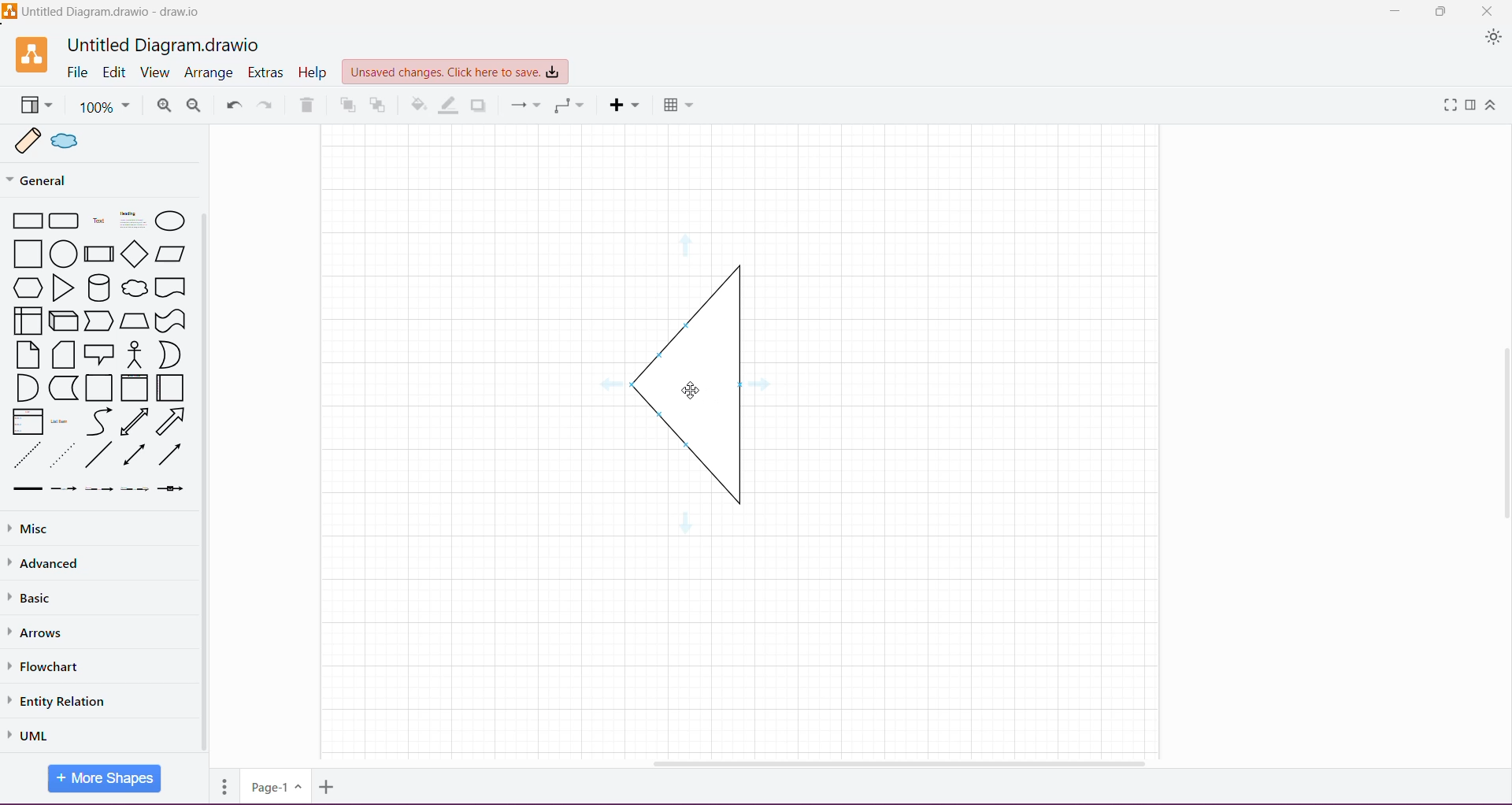 The width and height of the screenshot is (1512, 805). What do you see at coordinates (569, 106) in the screenshot?
I see `Waypoints` at bounding box center [569, 106].